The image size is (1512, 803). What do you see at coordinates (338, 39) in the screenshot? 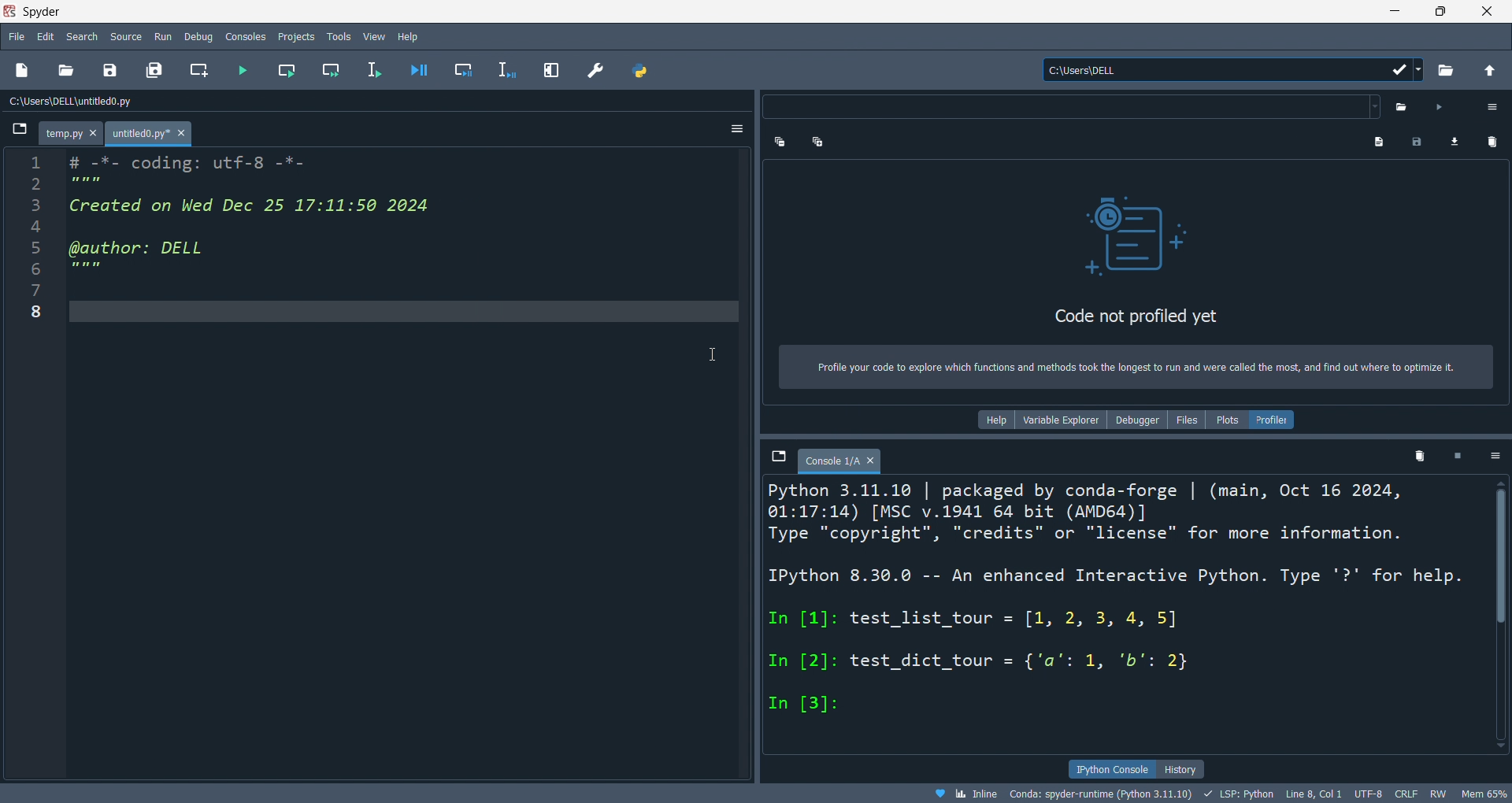
I see `tools` at bounding box center [338, 39].